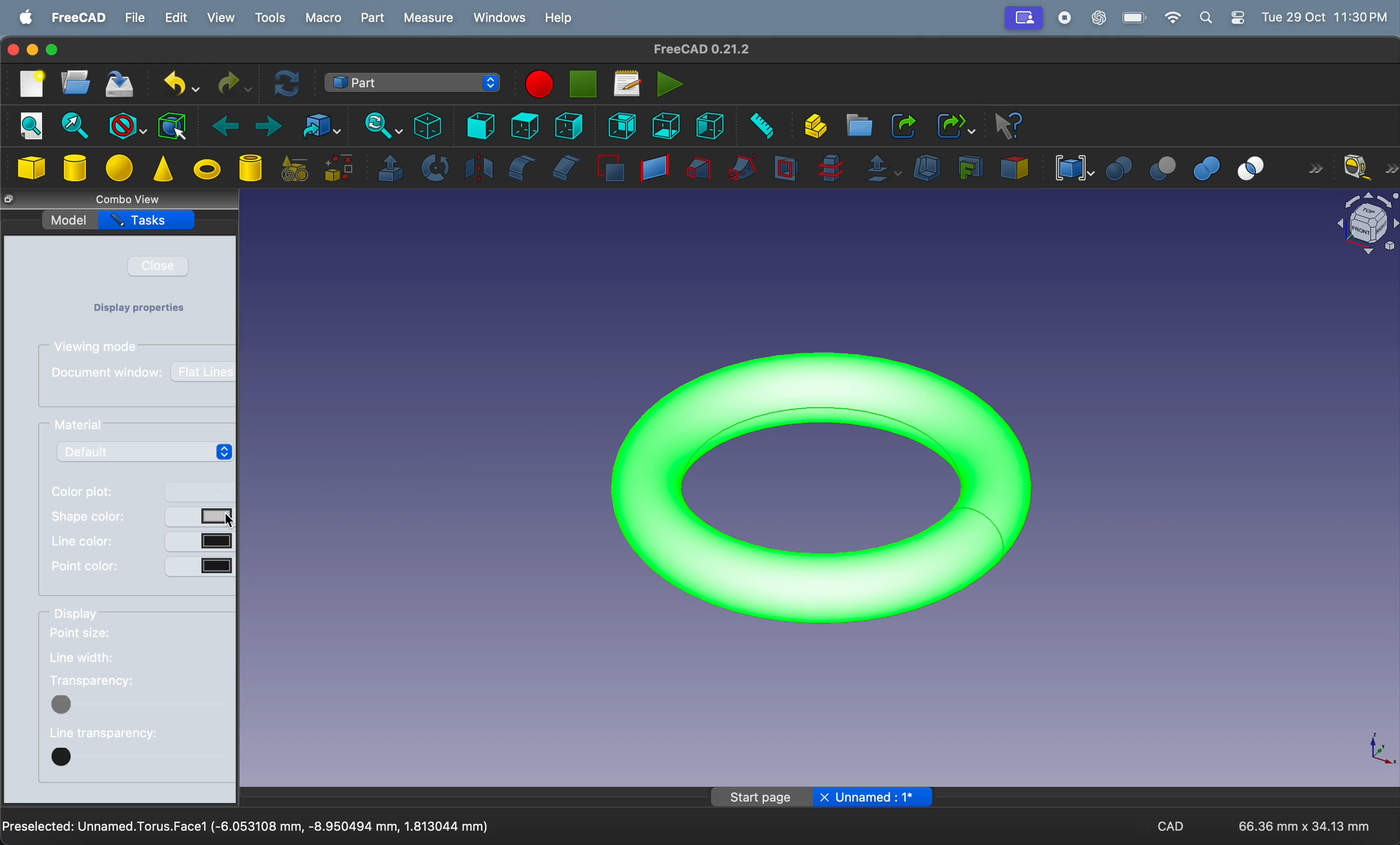 The width and height of the screenshot is (1400, 845). I want to click on button, so click(200, 518).